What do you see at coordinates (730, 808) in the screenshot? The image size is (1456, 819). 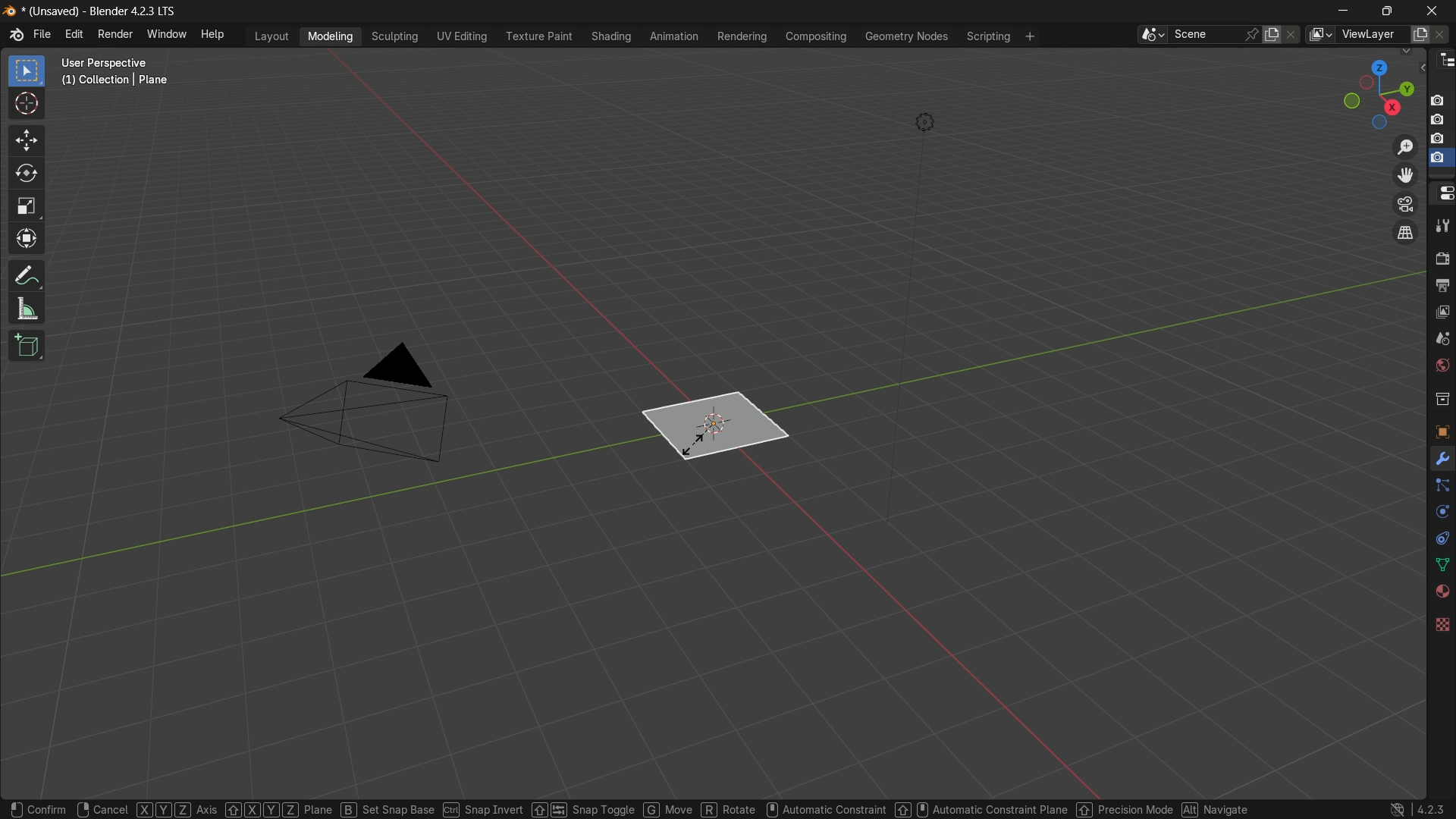 I see `R rotate` at bounding box center [730, 808].